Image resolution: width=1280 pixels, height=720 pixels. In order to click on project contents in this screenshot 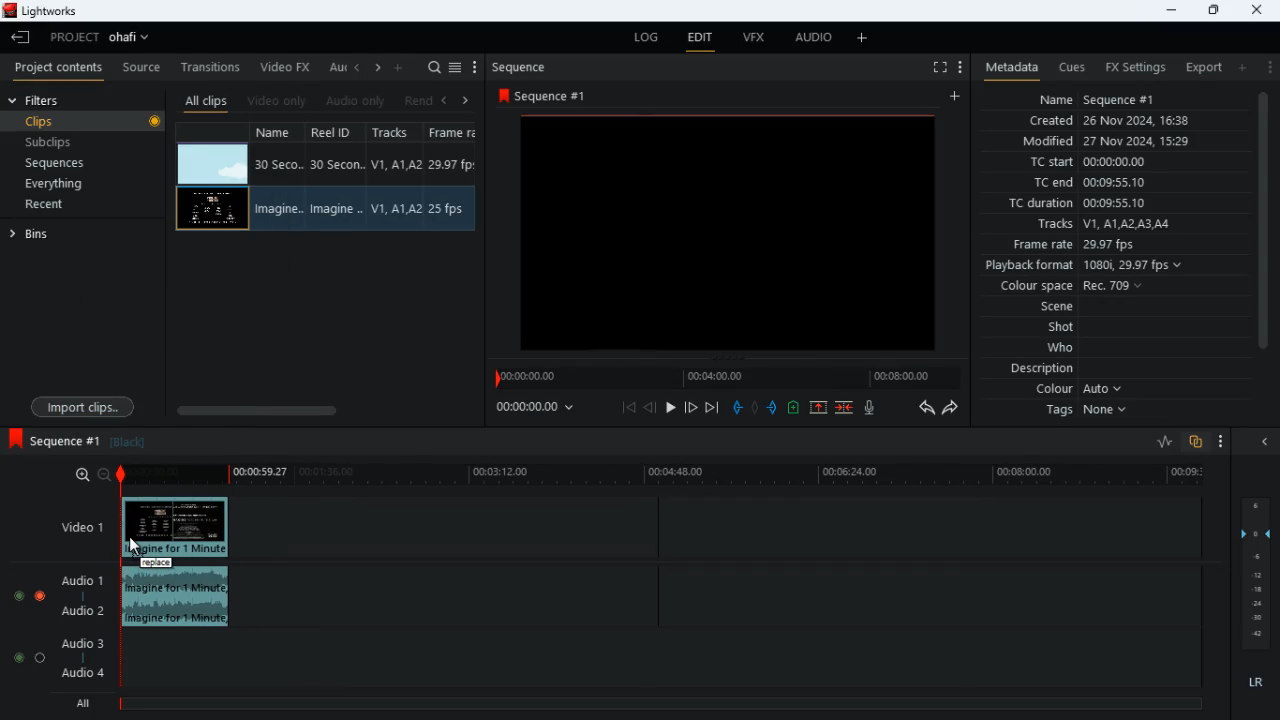, I will do `click(59, 67)`.